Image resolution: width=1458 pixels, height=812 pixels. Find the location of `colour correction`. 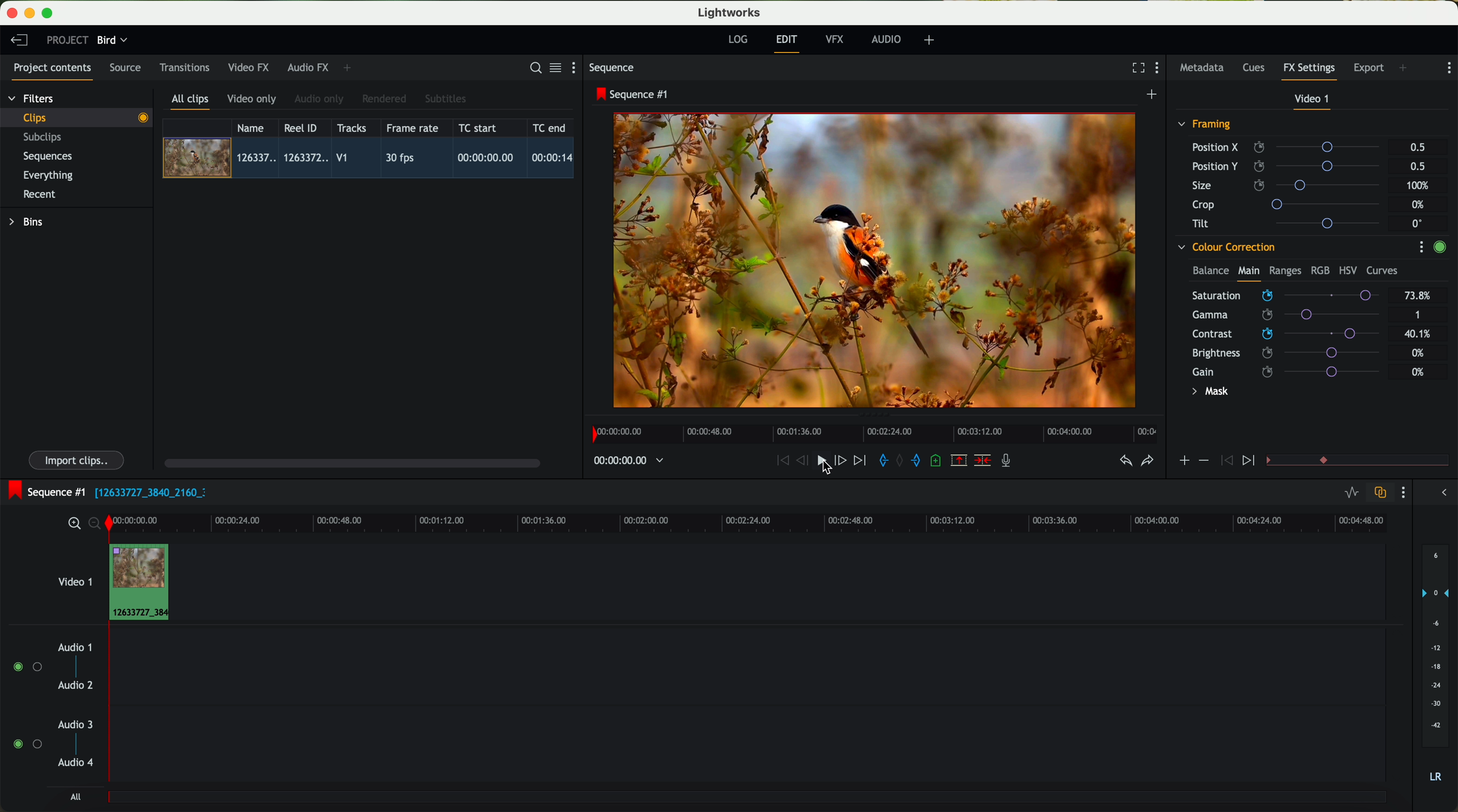

colour correction is located at coordinates (1225, 247).